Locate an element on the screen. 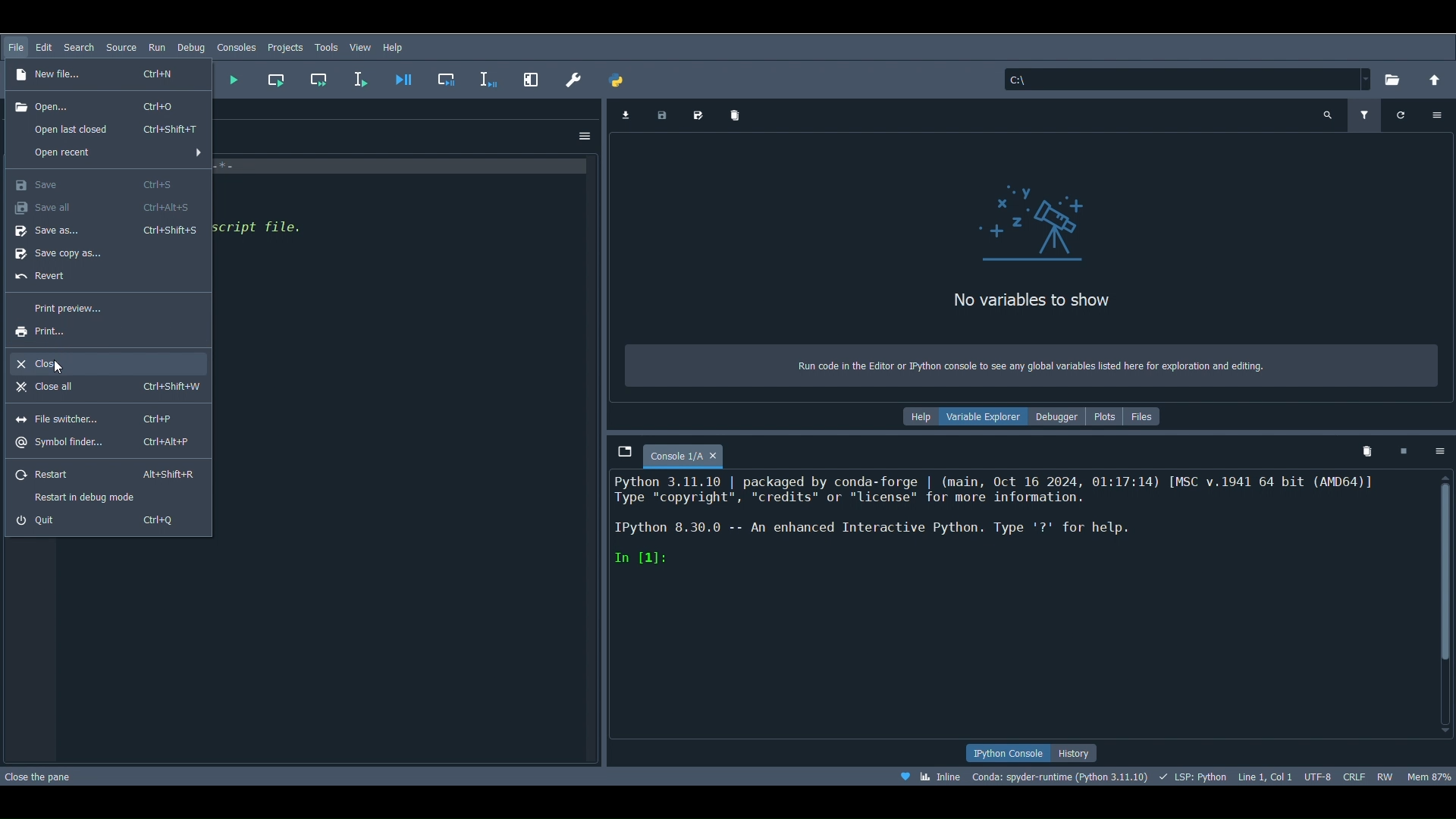  Save data as is located at coordinates (701, 114).